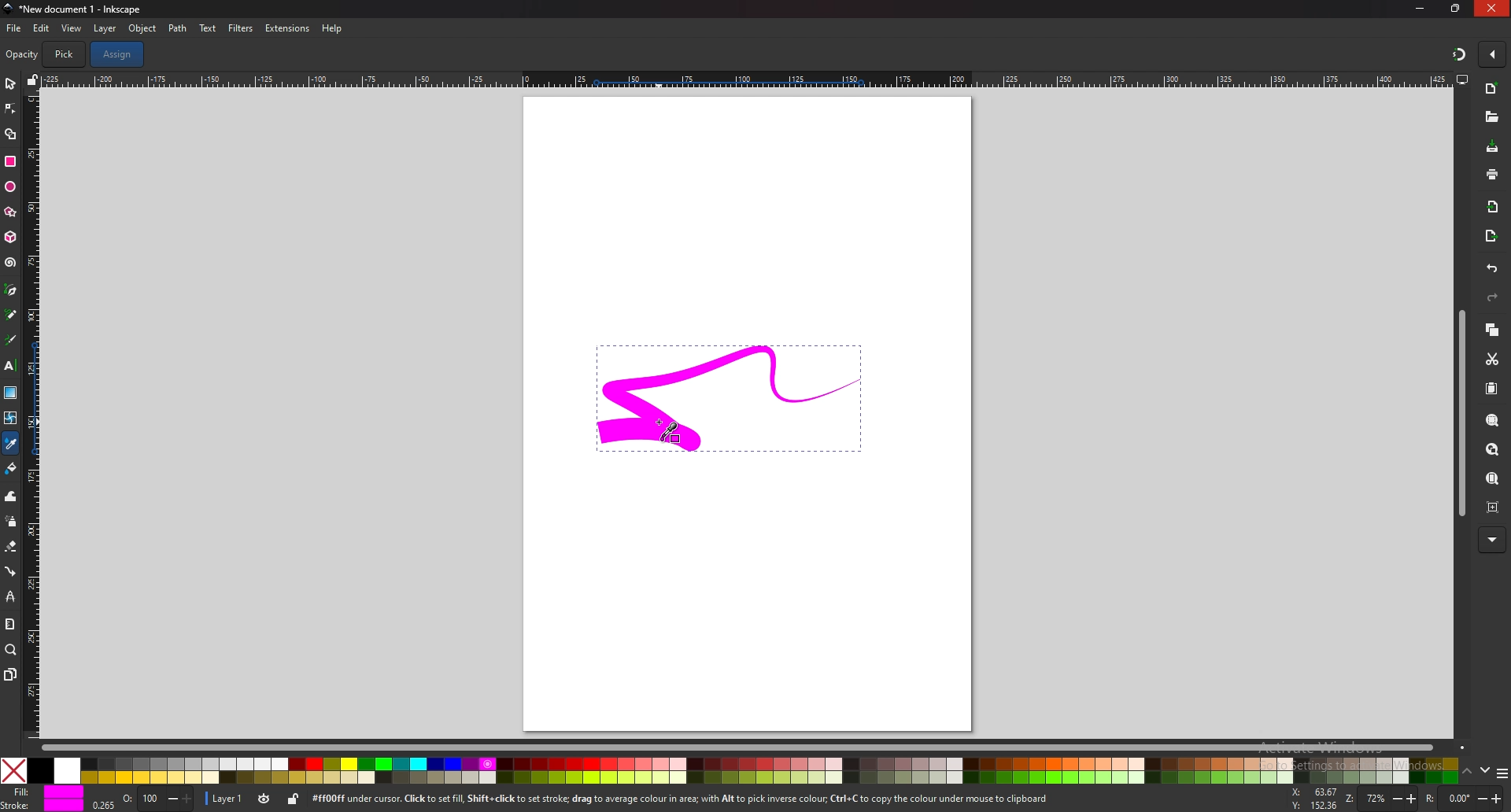  What do you see at coordinates (13, 444) in the screenshot?
I see `color picker` at bounding box center [13, 444].